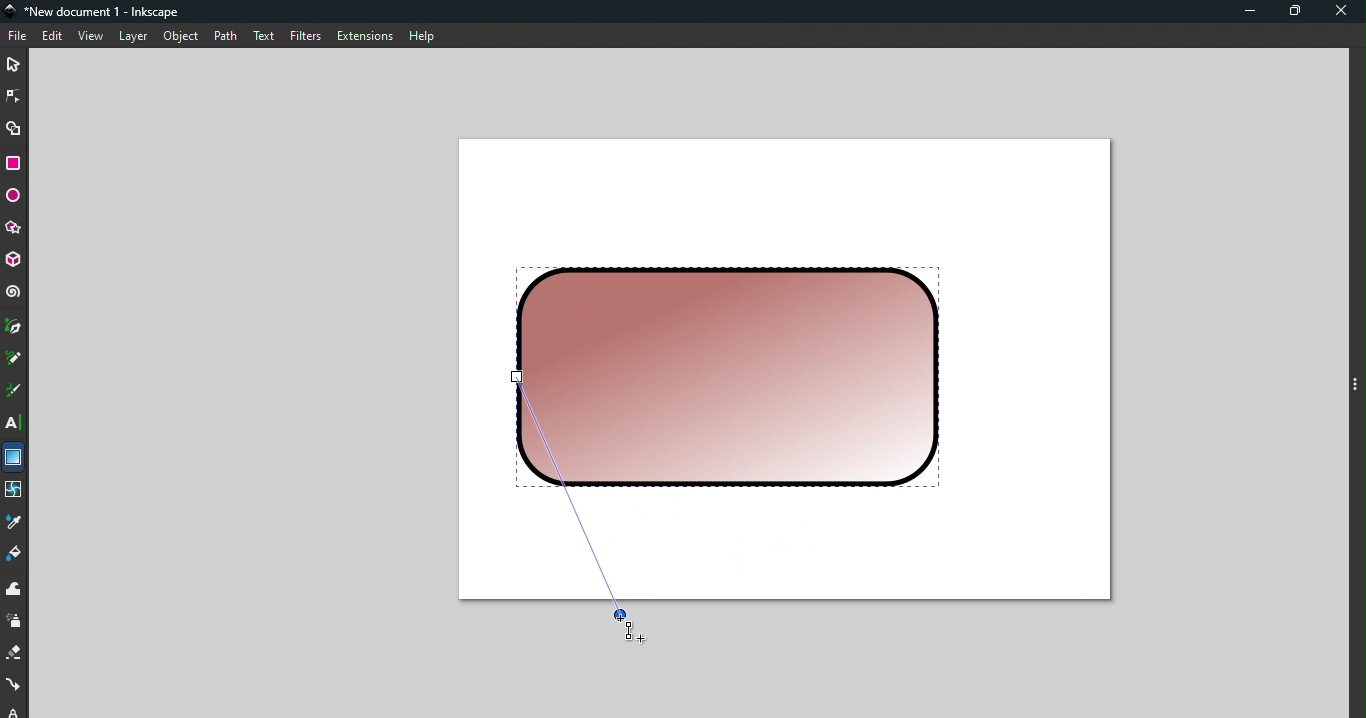  What do you see at coordinates (18, 36) in the screenshot?
I see `File` at bounding box center [18, 36].